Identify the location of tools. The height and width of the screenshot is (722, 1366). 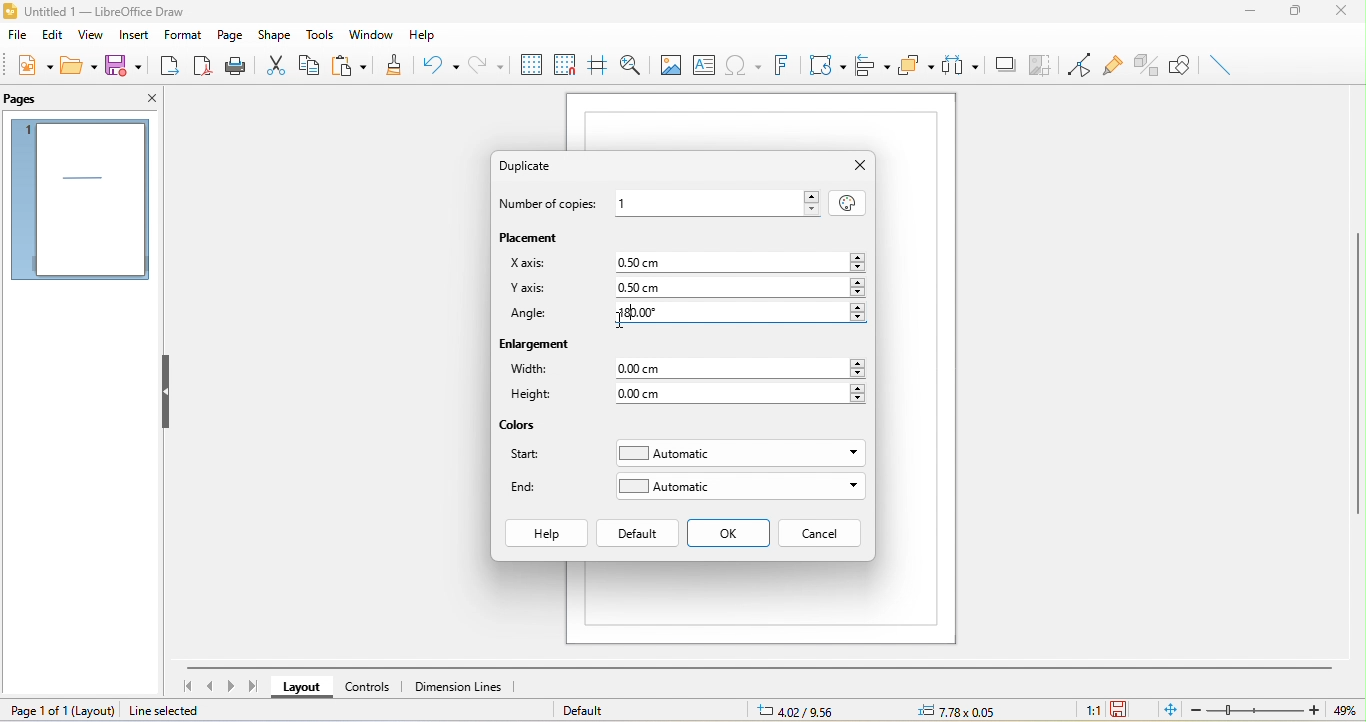
(322, 35).